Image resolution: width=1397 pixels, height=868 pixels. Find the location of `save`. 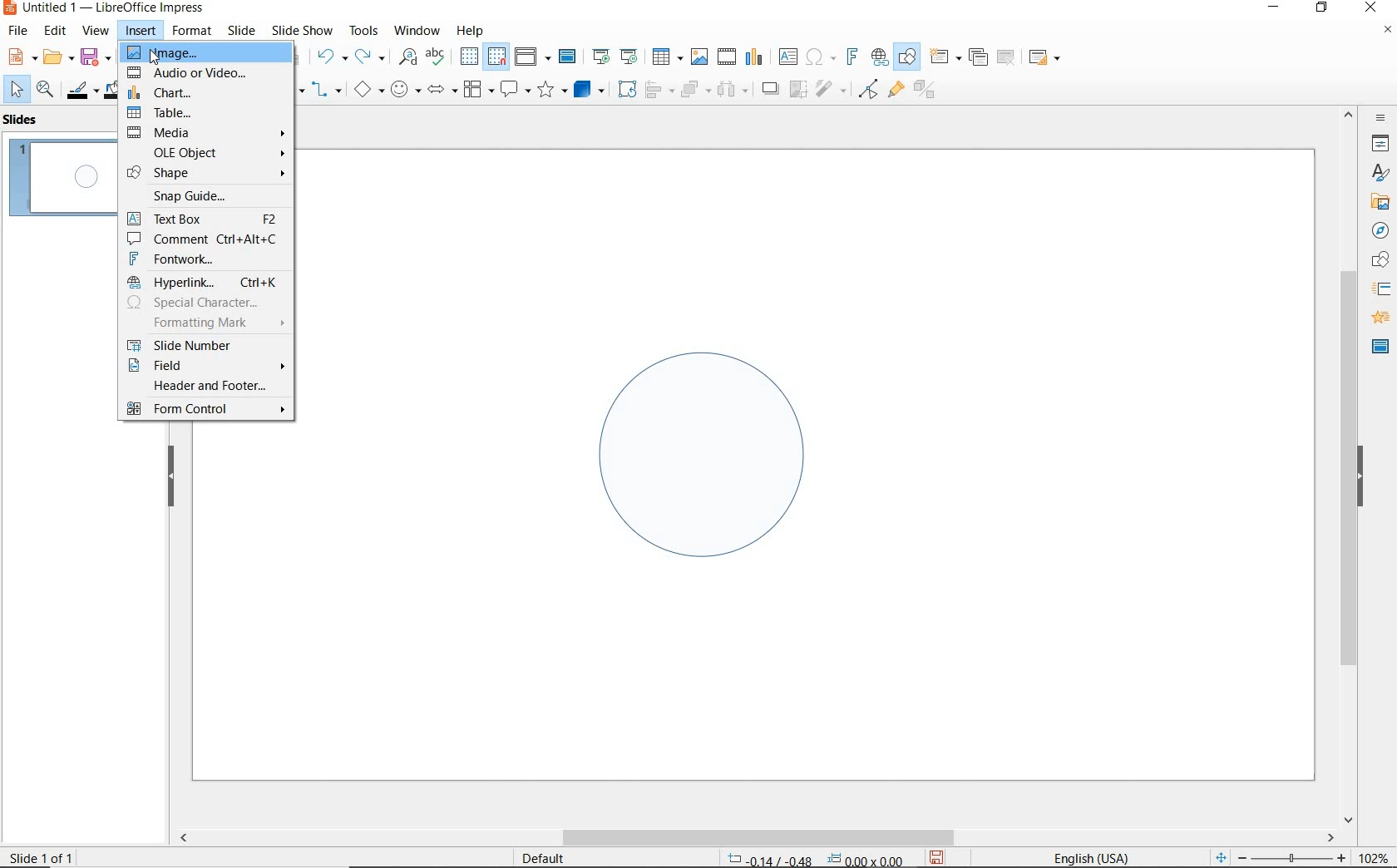

save is located at coordinates (936, 857).